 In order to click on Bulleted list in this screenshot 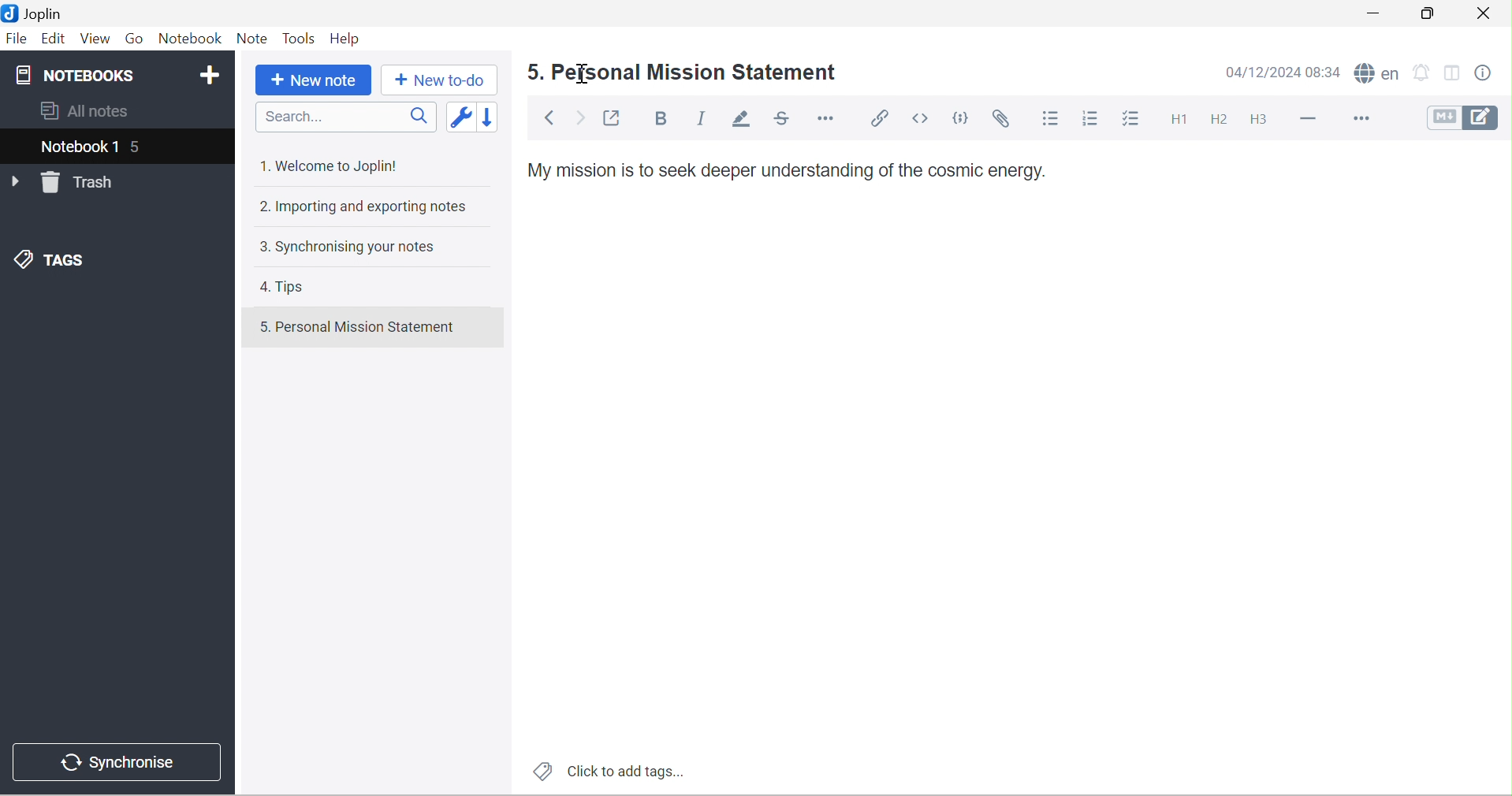, I will do `click(1056, 121)`.